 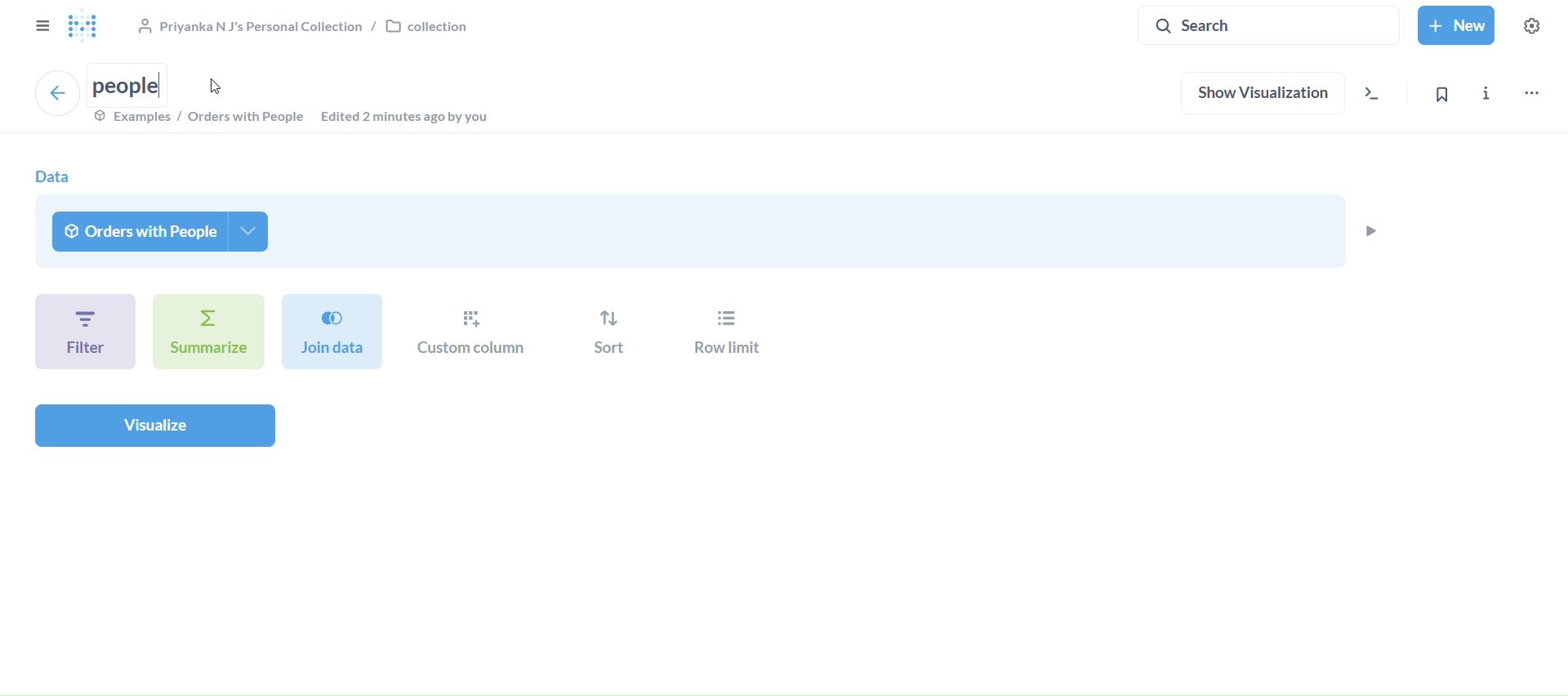 I want to click on edited 2 minutes ago, so click(x=412, y=118).